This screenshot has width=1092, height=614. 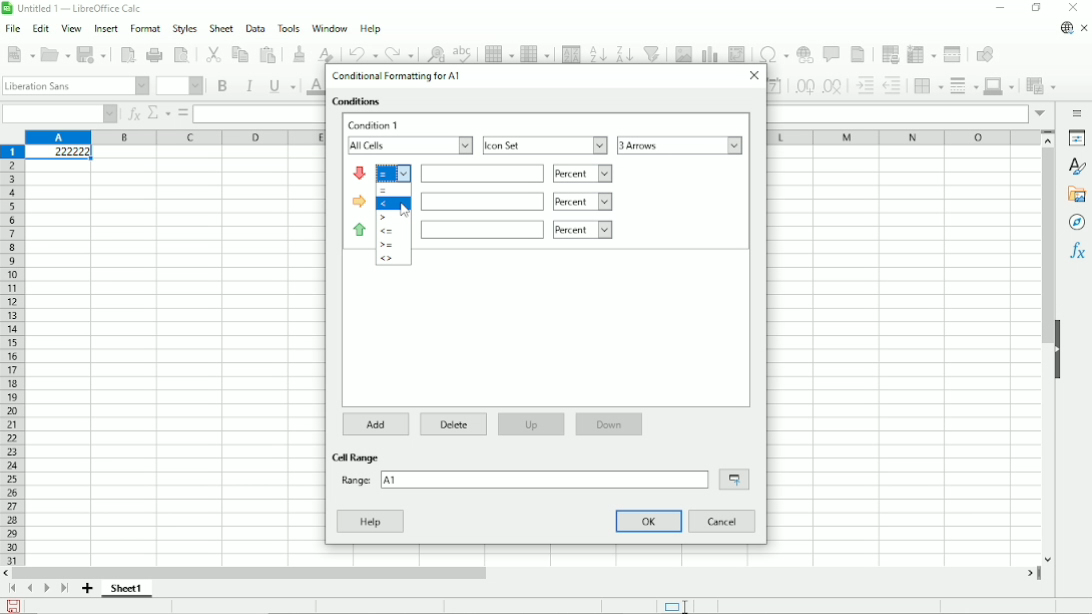 What do you see at coordinates (530, 424) in the screenshot?
I see `Up` at bounding box center [530, 424].